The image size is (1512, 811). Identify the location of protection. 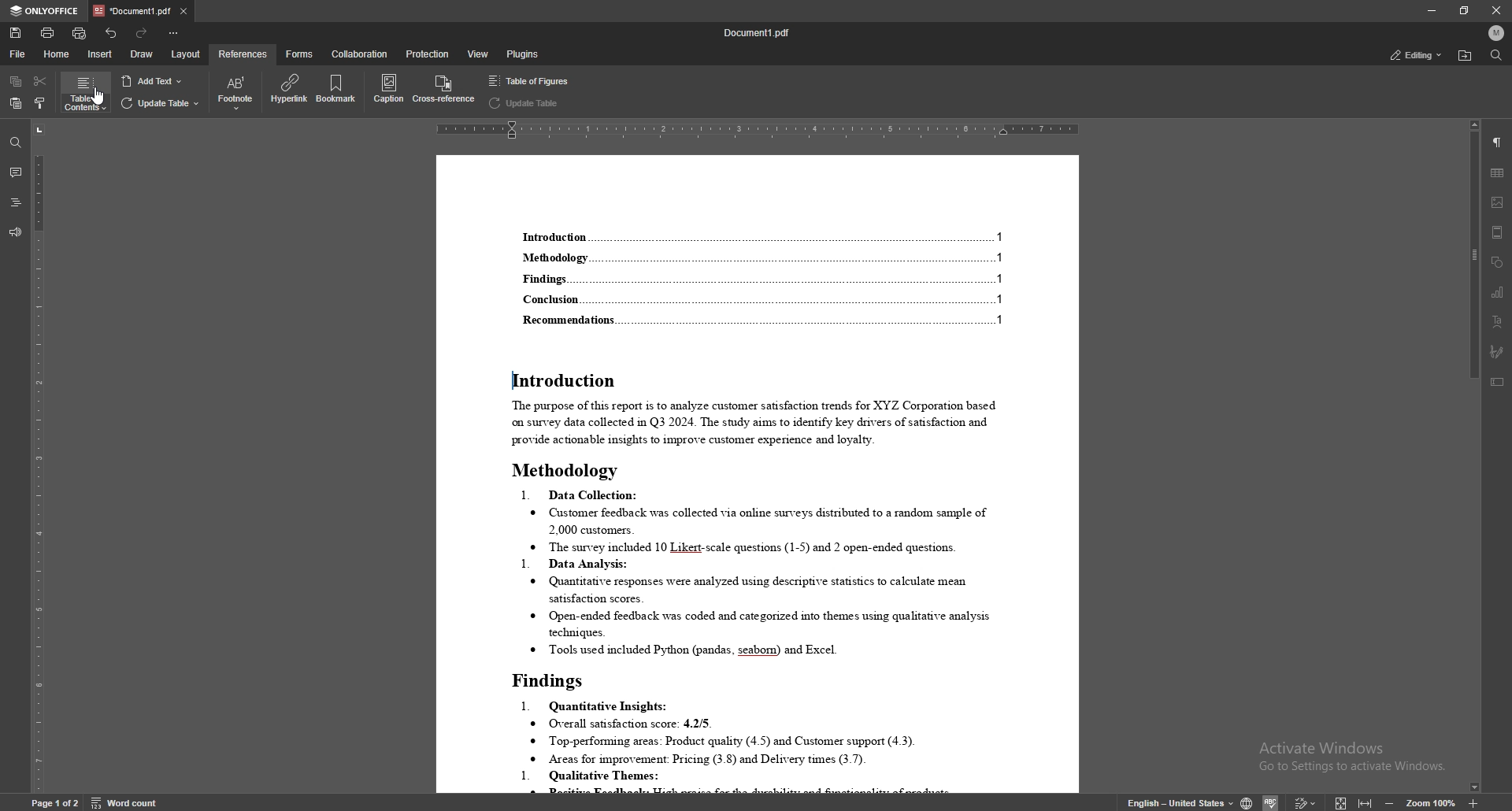
(427, 54).